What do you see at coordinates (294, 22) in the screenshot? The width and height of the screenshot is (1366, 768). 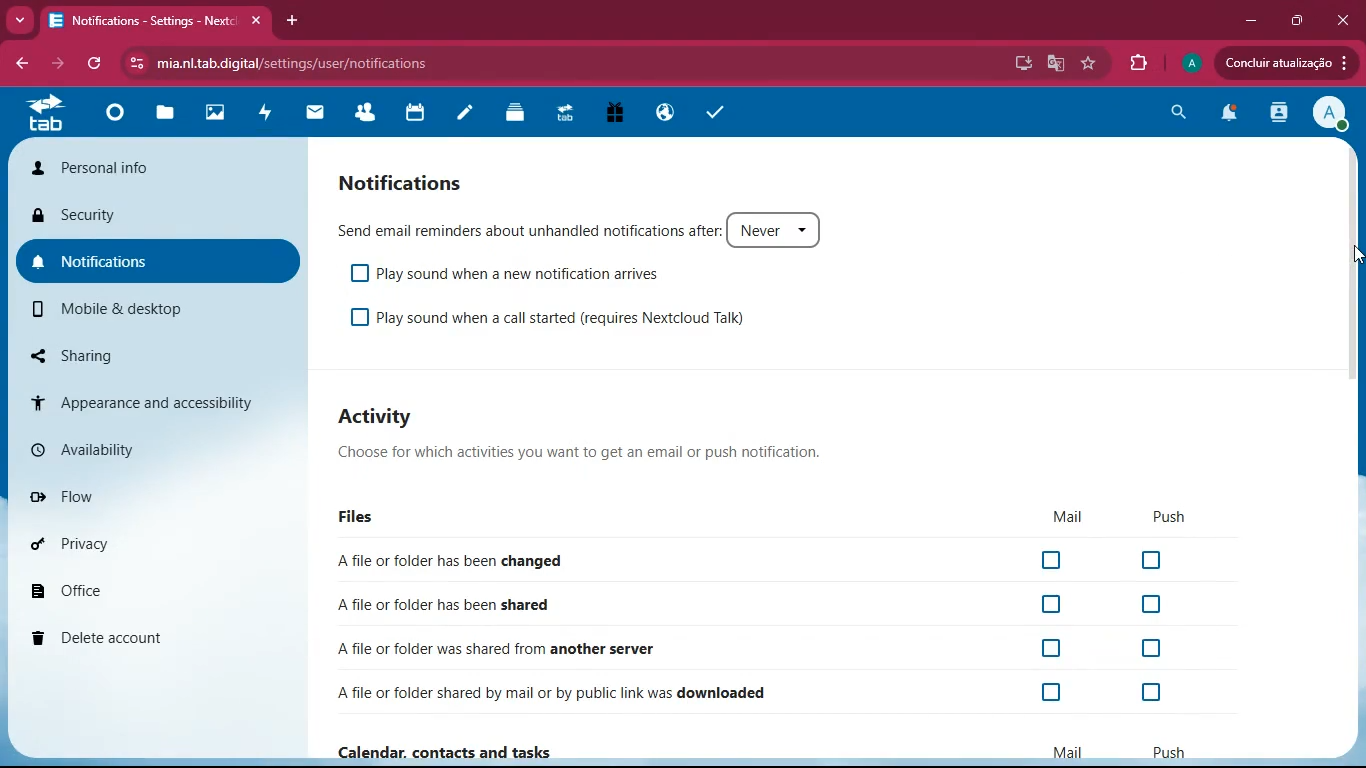 I see `add tab` at bounding box center [294, 22].